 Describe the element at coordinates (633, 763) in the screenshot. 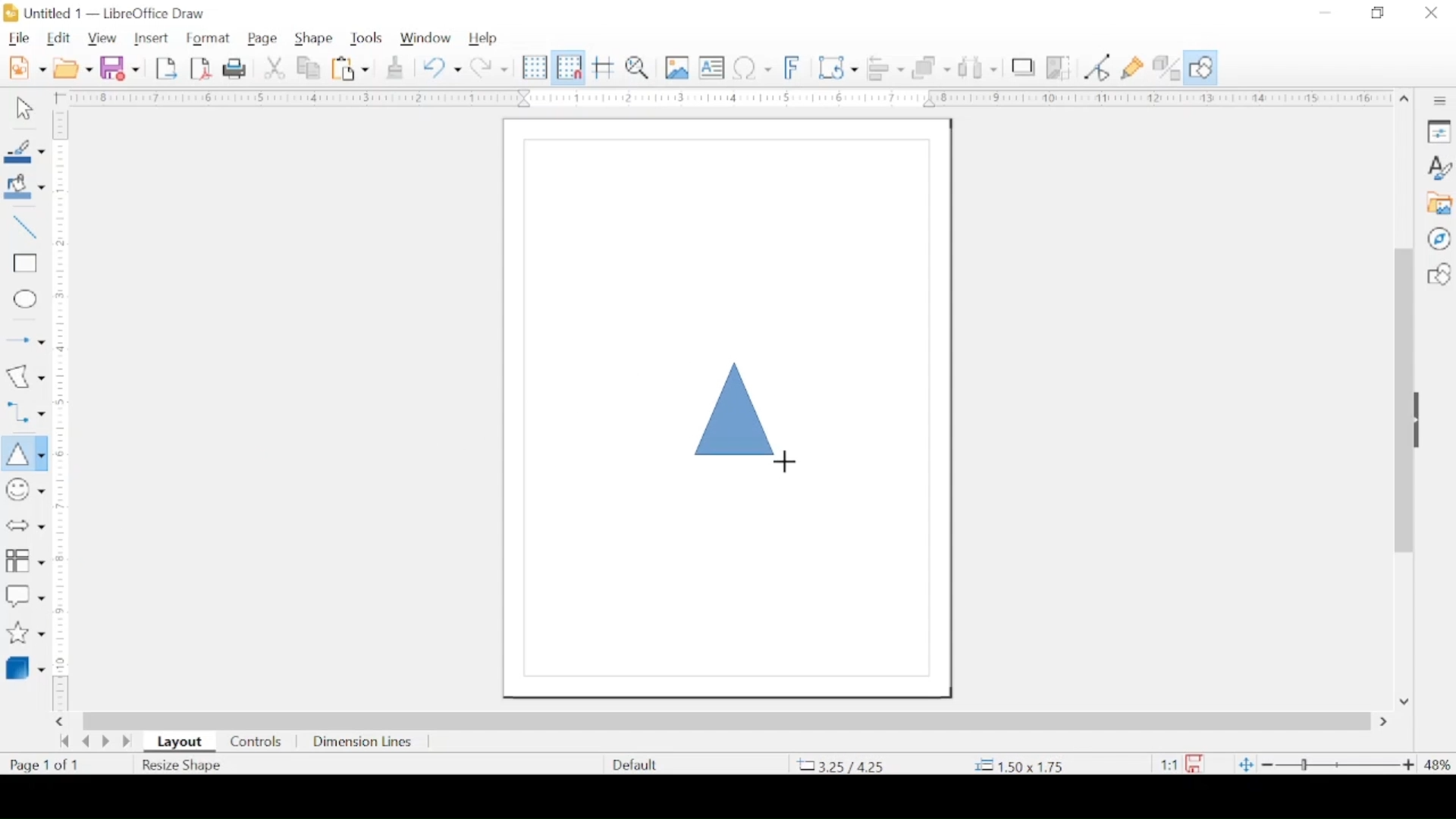

I see `defaults` at that location.